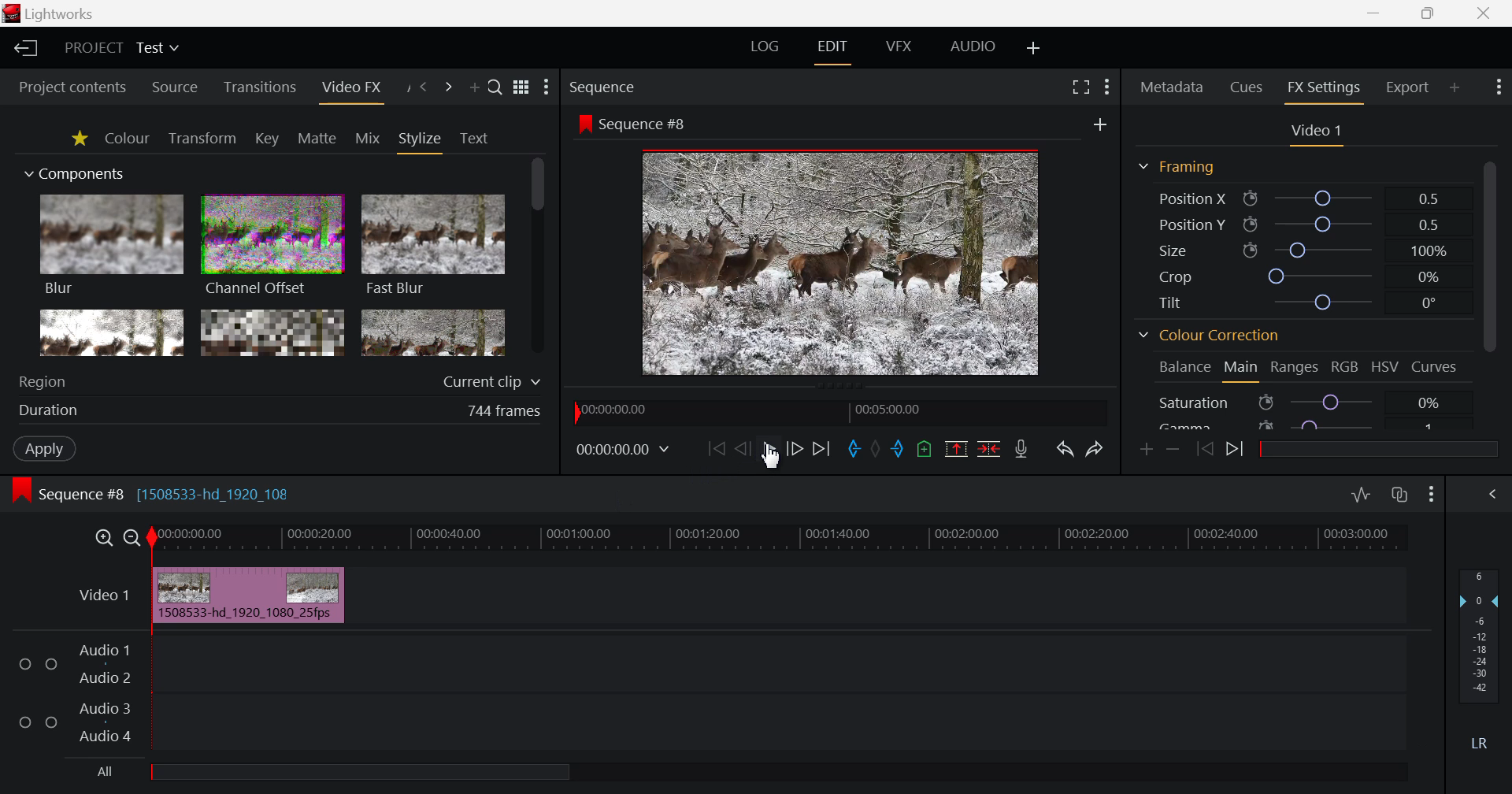  I want to click on Show Settings, so click(1107, 90).